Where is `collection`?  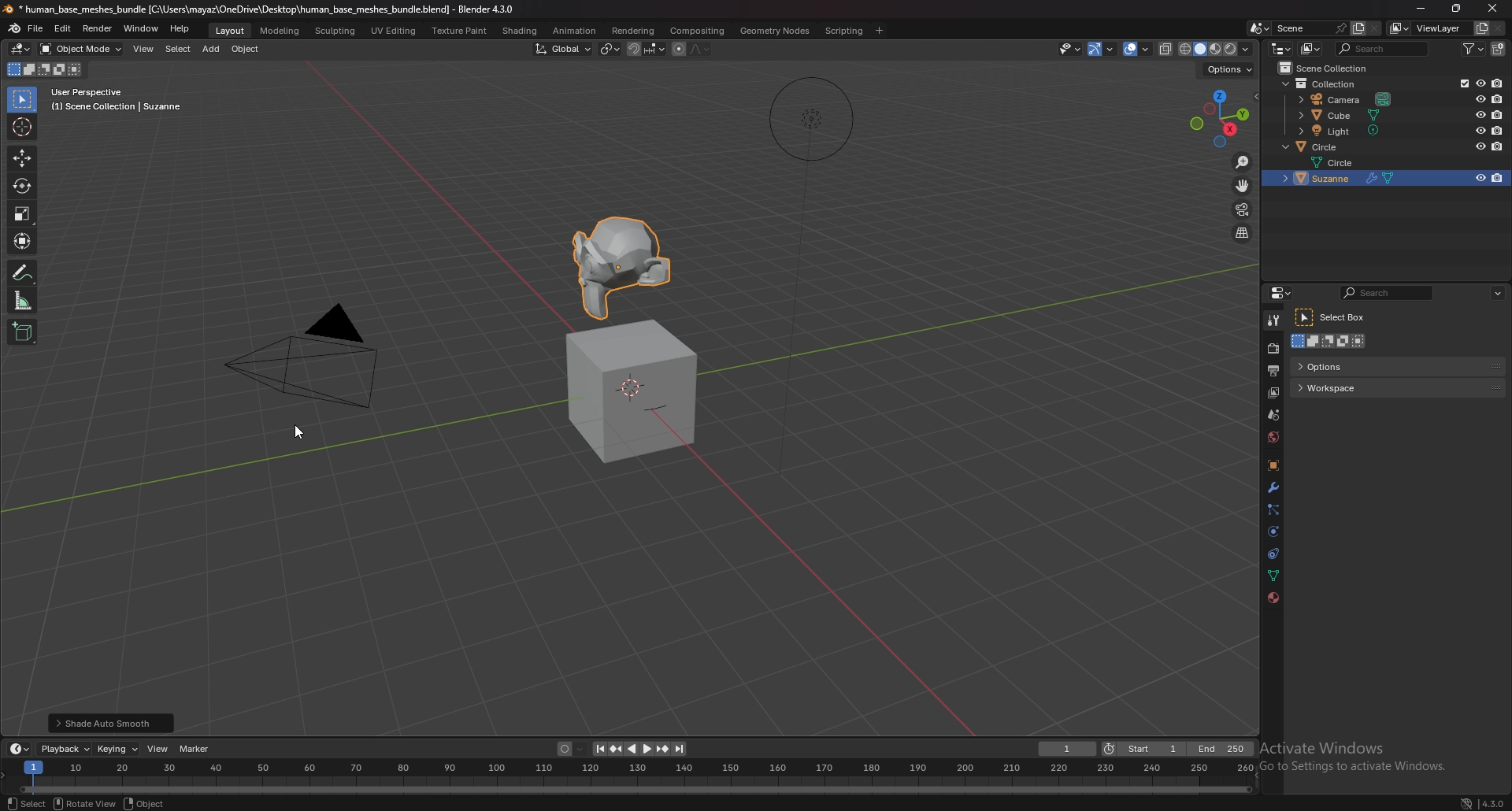 collection is located at coordinates (1329, 68).